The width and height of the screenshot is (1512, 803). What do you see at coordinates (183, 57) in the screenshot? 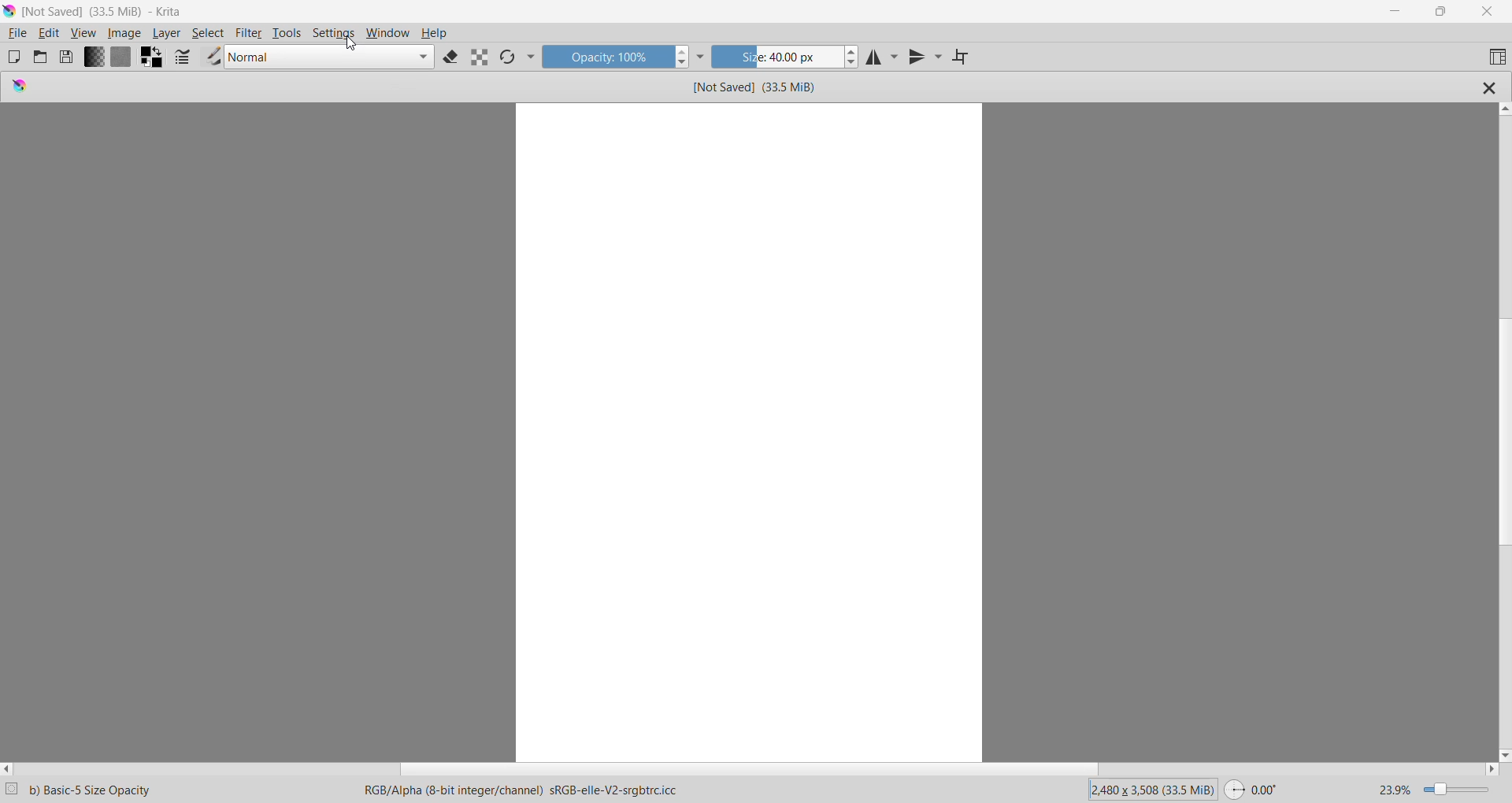
I see `Edit brush settings` at bounding box center [183, 57].